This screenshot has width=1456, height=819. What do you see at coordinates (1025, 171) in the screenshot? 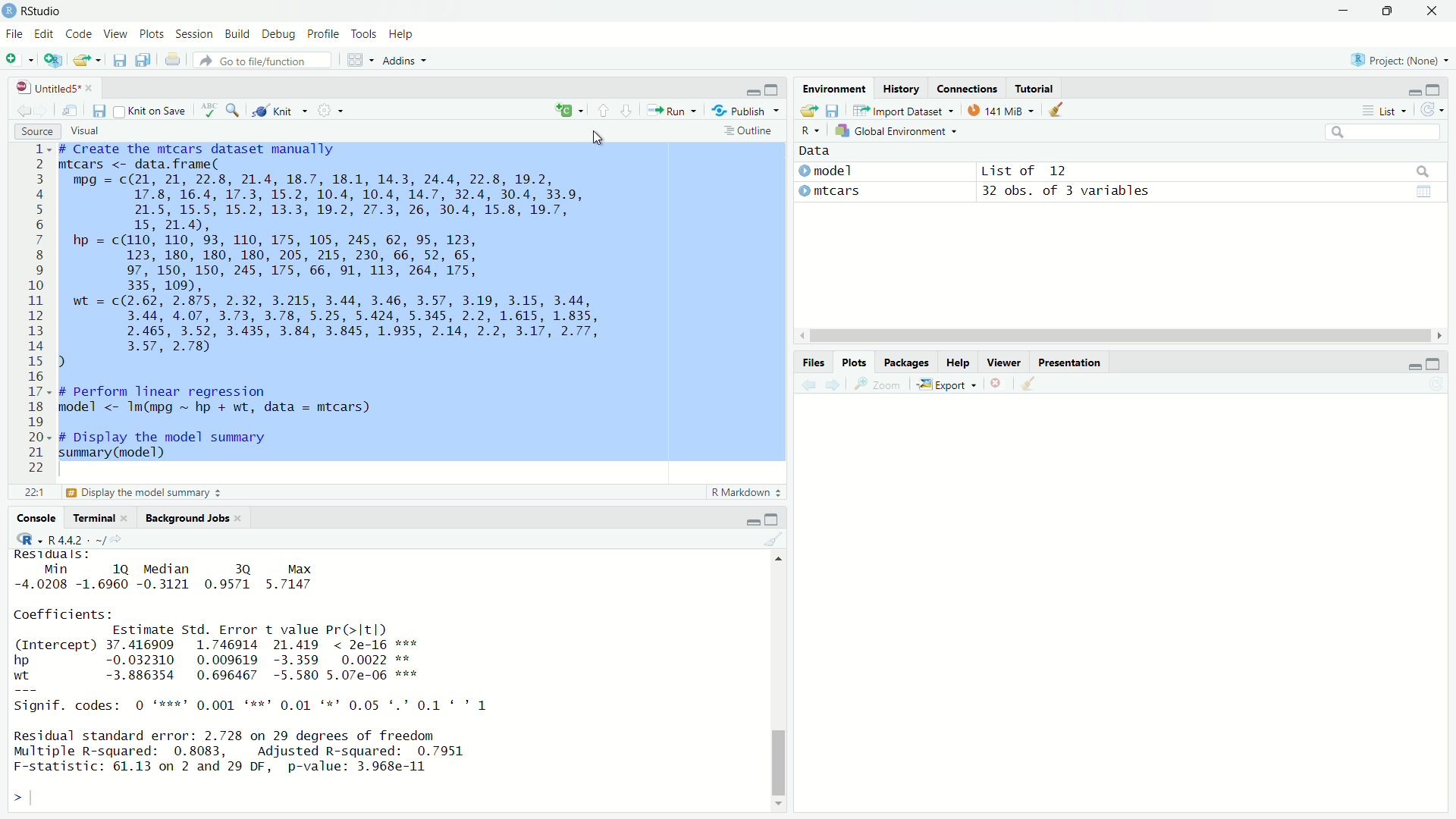
I see `List of 12` at bounding box center [1025, 171].